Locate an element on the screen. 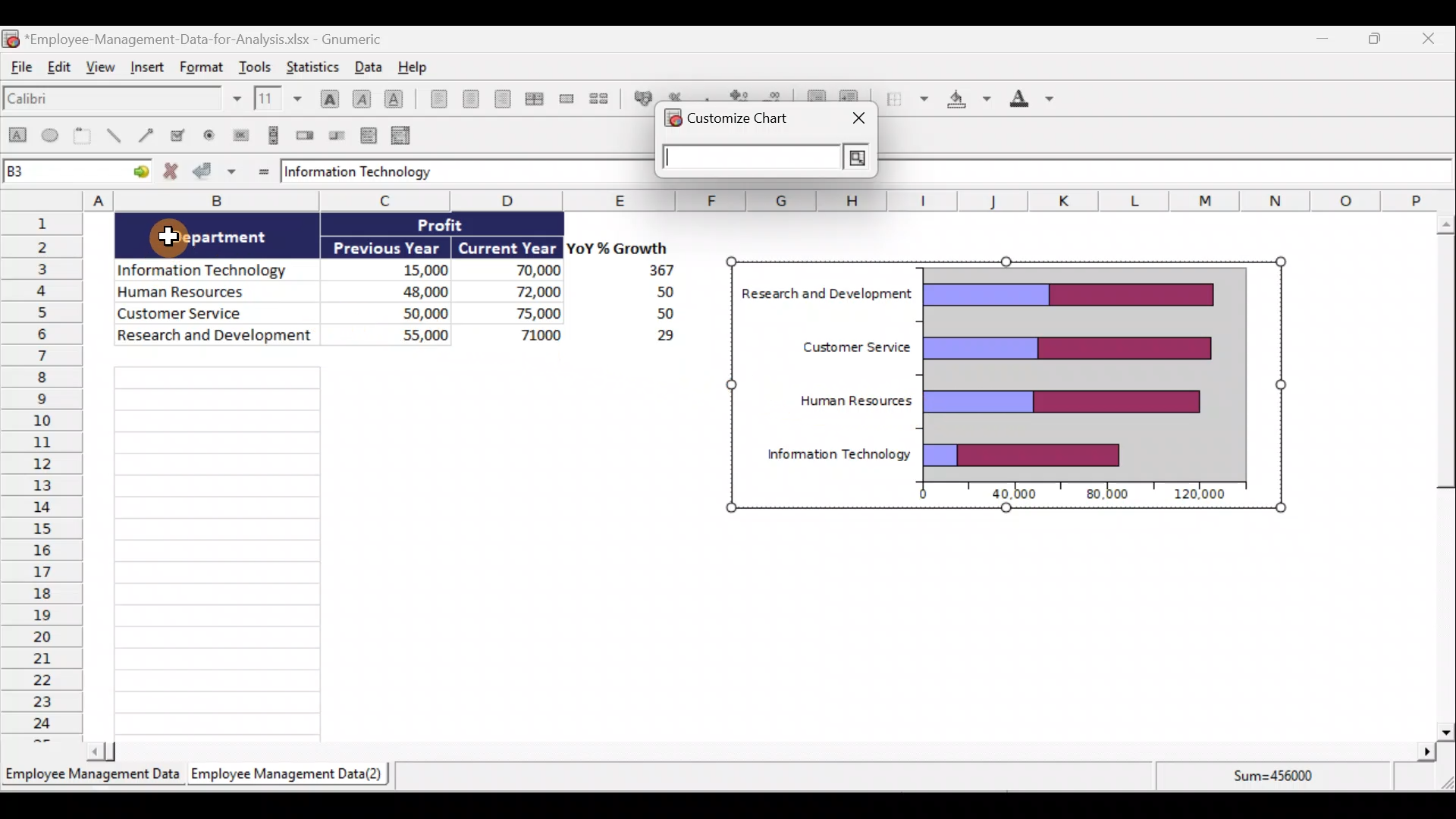 The image size is (1456, 819). *Employee-Management-Data-for-Analysis.xlsx - Gnumeric is located at coordinates (214, 39).